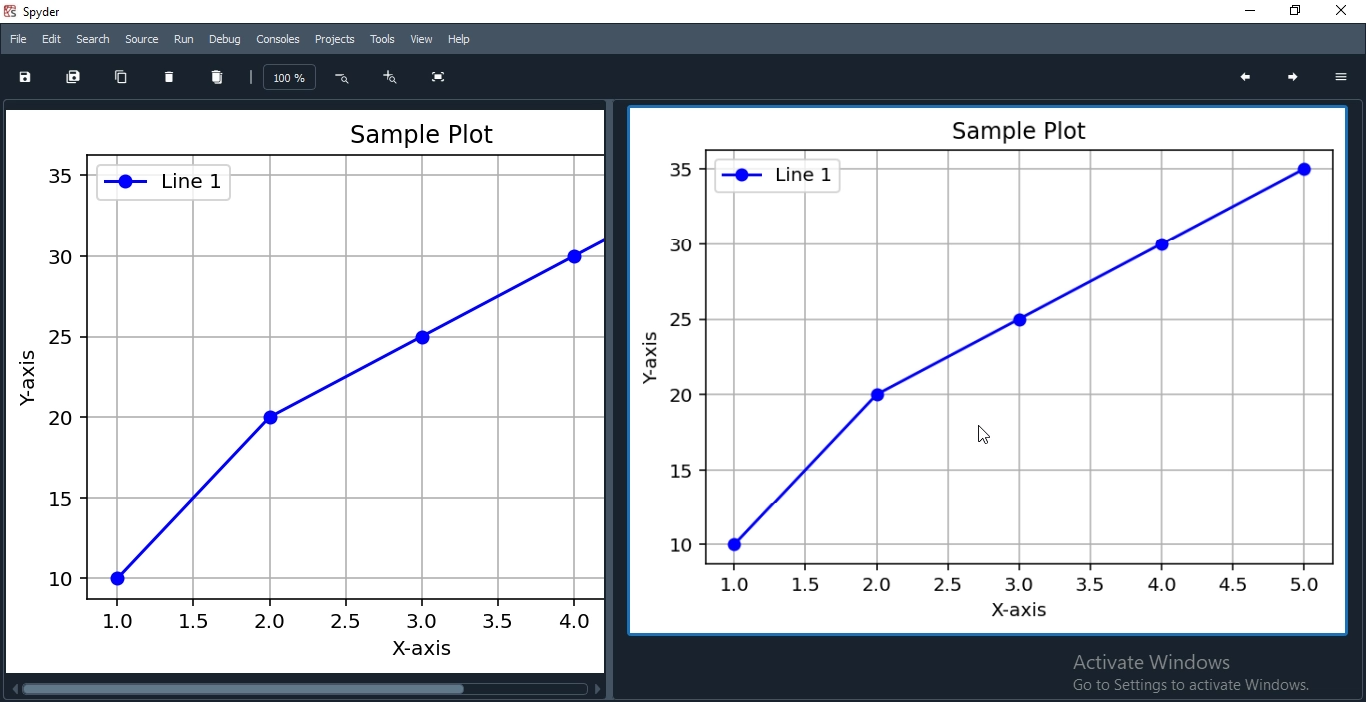  Describe the element at coordinates (141, 37) in the screenshot. I see `Source` at that location.